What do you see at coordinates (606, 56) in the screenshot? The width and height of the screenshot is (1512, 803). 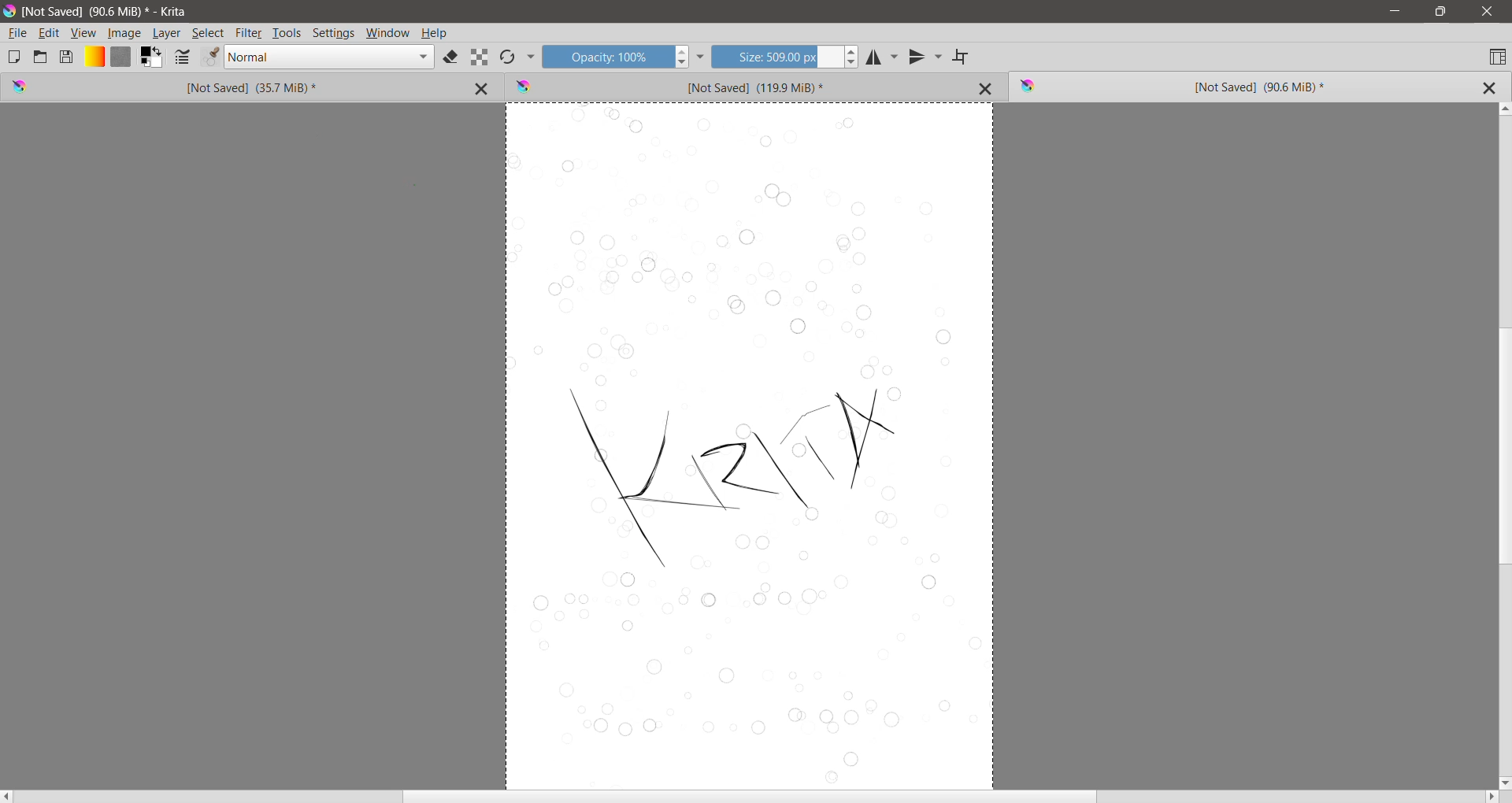 I see `Opacity input` at bounding box center [606, 56].